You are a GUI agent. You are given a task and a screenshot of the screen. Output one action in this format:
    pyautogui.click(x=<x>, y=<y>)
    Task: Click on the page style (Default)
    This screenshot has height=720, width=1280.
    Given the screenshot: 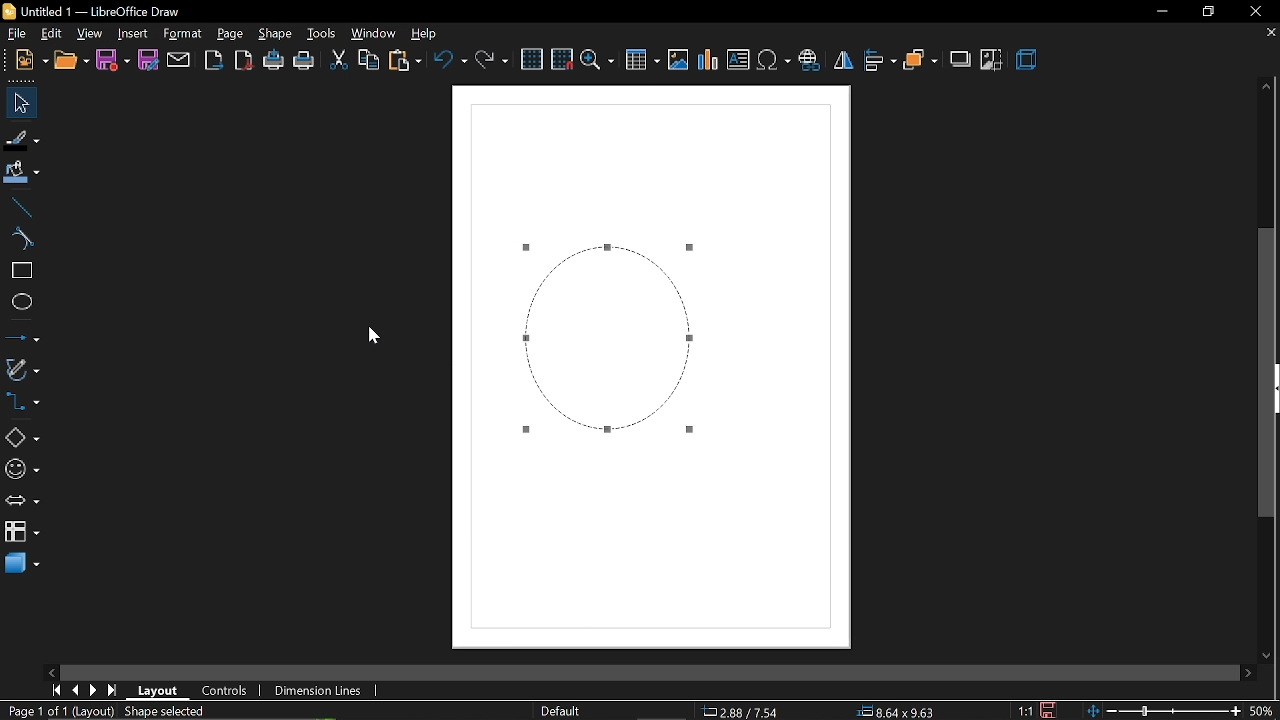 What is the action you would take?
    pyautogui.click(x=565, y=710)
    